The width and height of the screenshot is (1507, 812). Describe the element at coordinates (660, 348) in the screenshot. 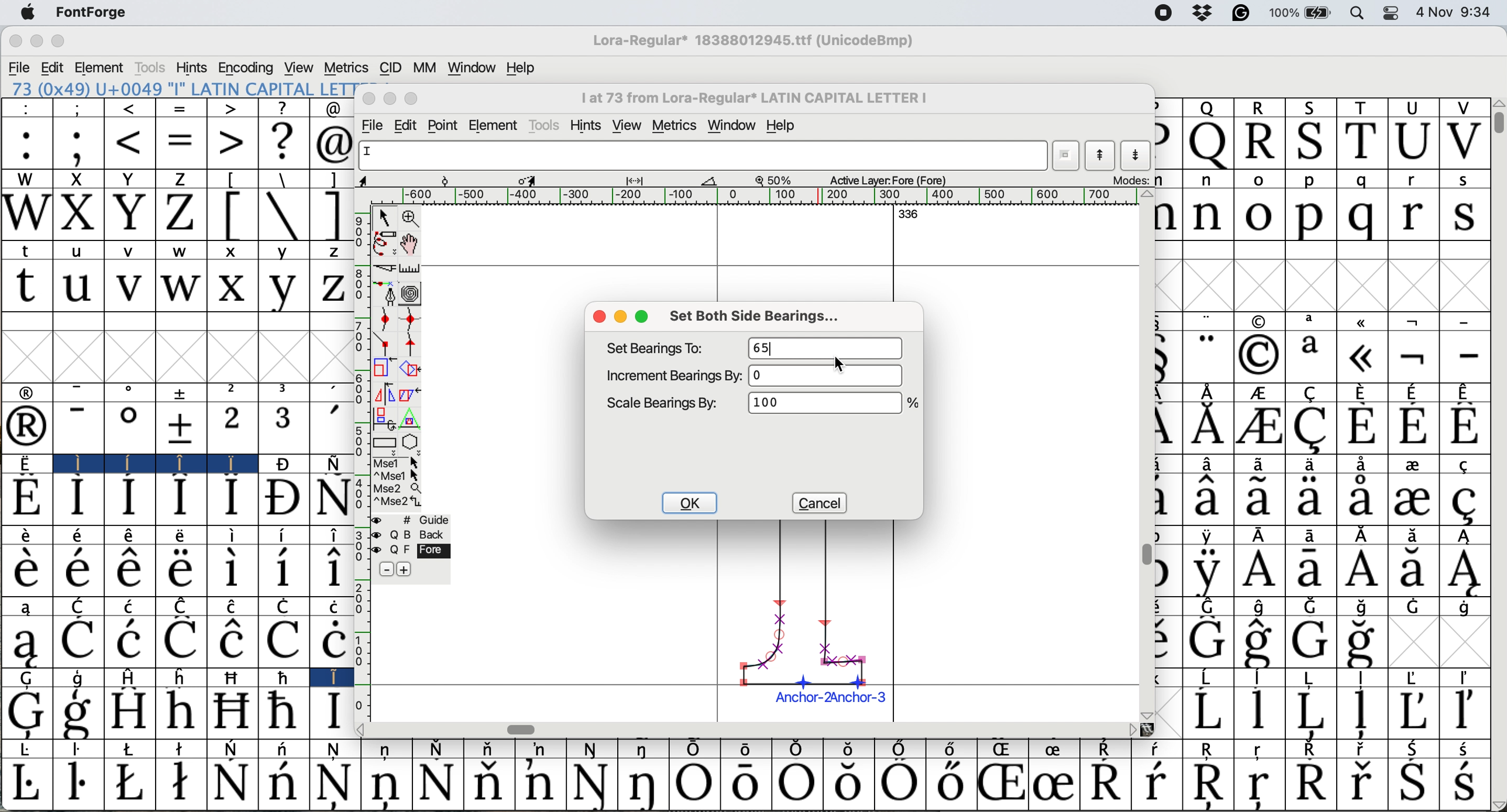

I see `set bearings to` at that location.